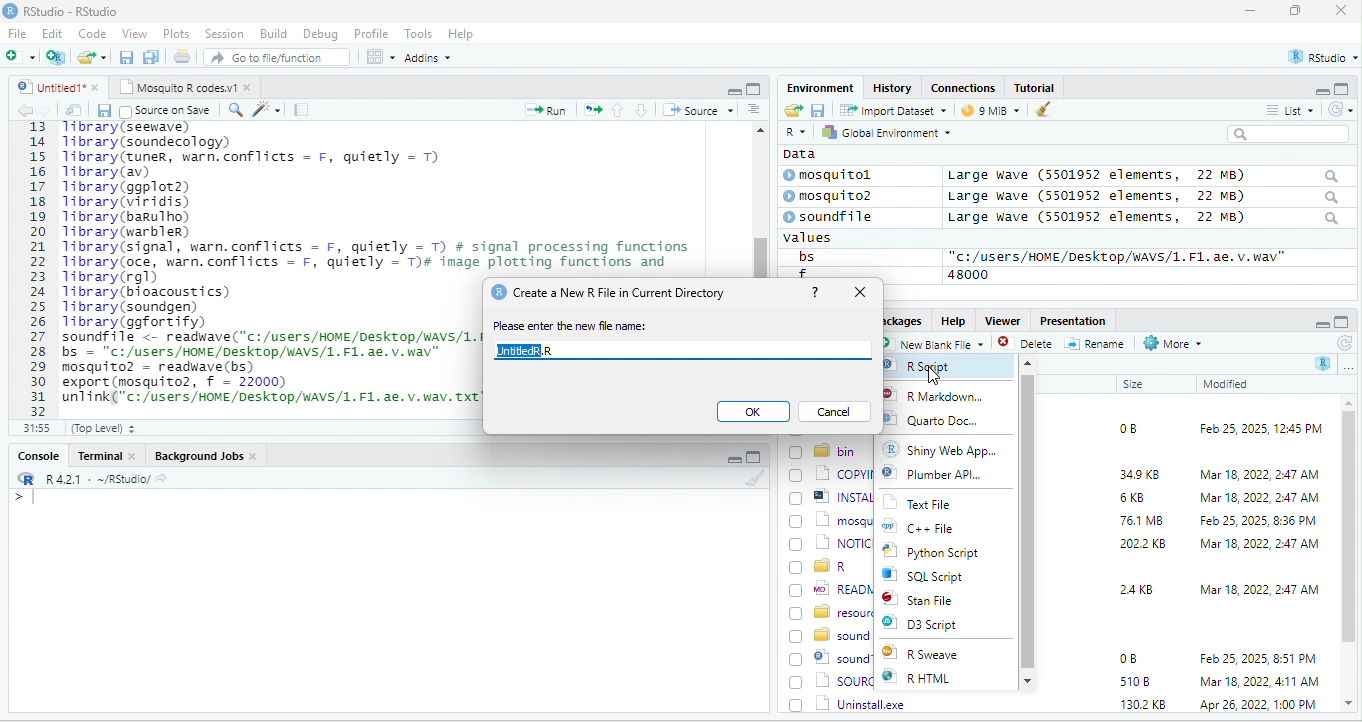  Describe the element at coordinates (94, 57) in the screenshot. I see `folder` at that location.